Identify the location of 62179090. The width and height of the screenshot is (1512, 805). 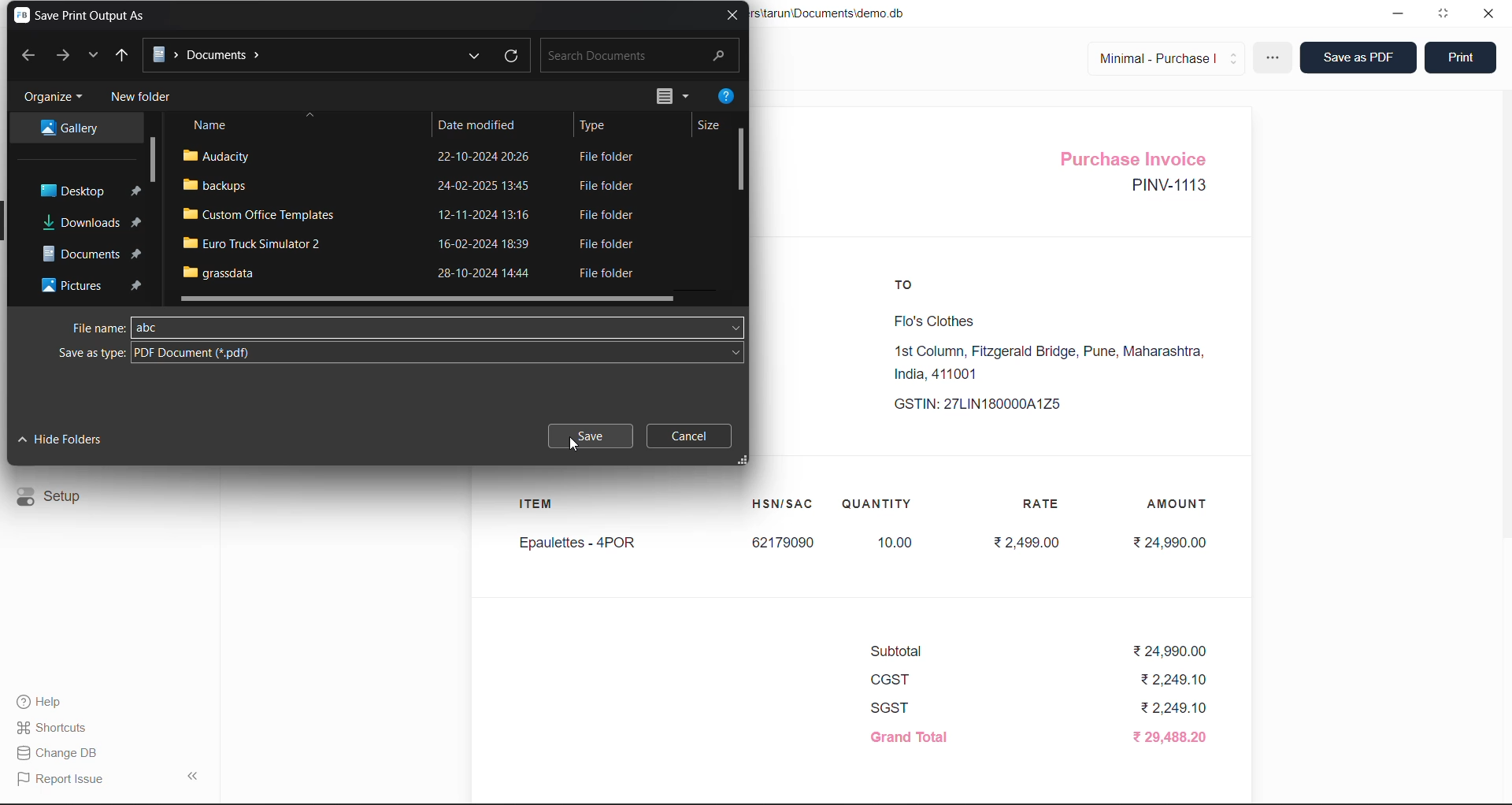
(785, 542).